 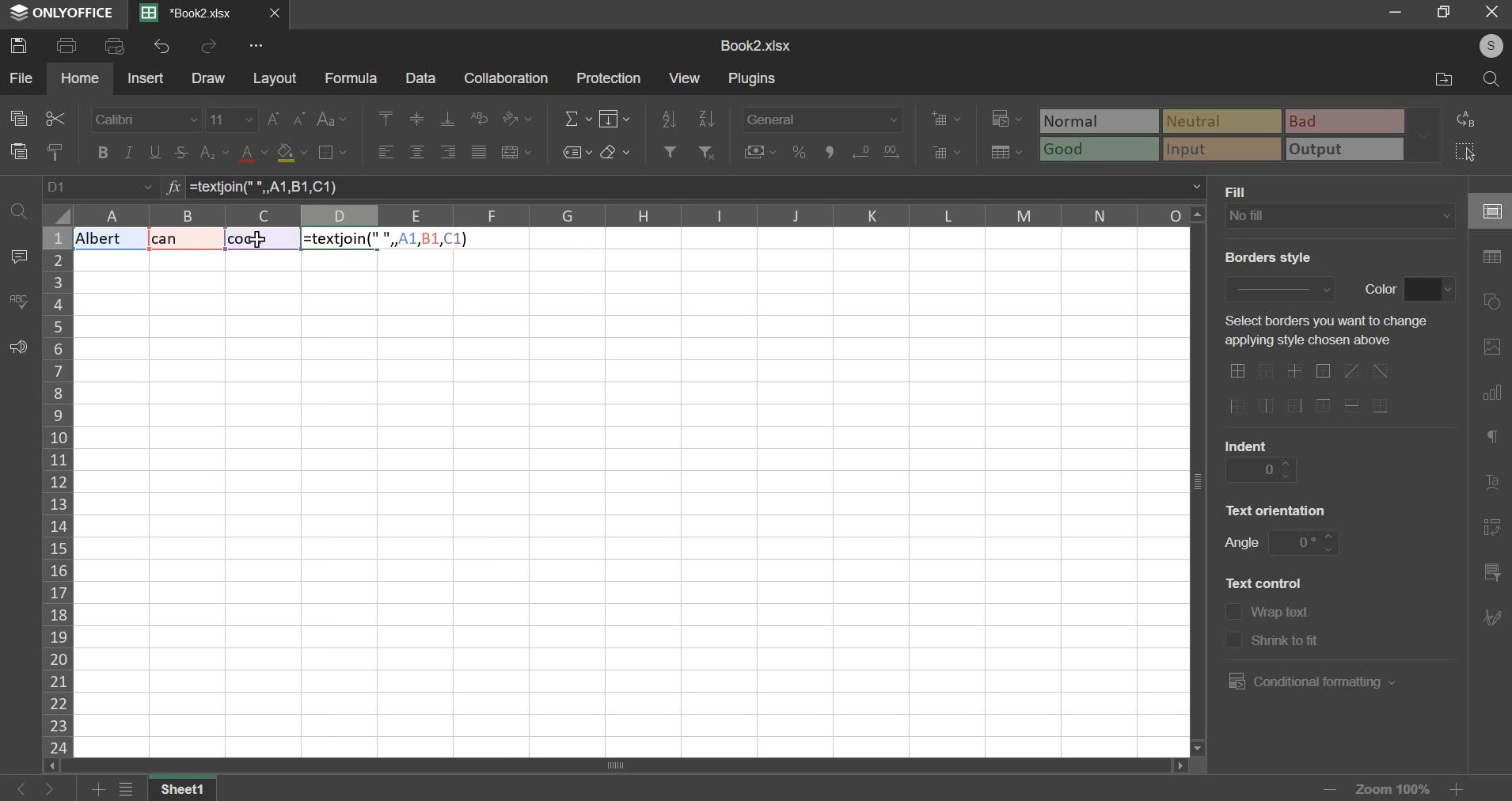 What do you see at coordinates (633, 216) in the screenshot?
I see `columns` at bounding box center [633, 216].